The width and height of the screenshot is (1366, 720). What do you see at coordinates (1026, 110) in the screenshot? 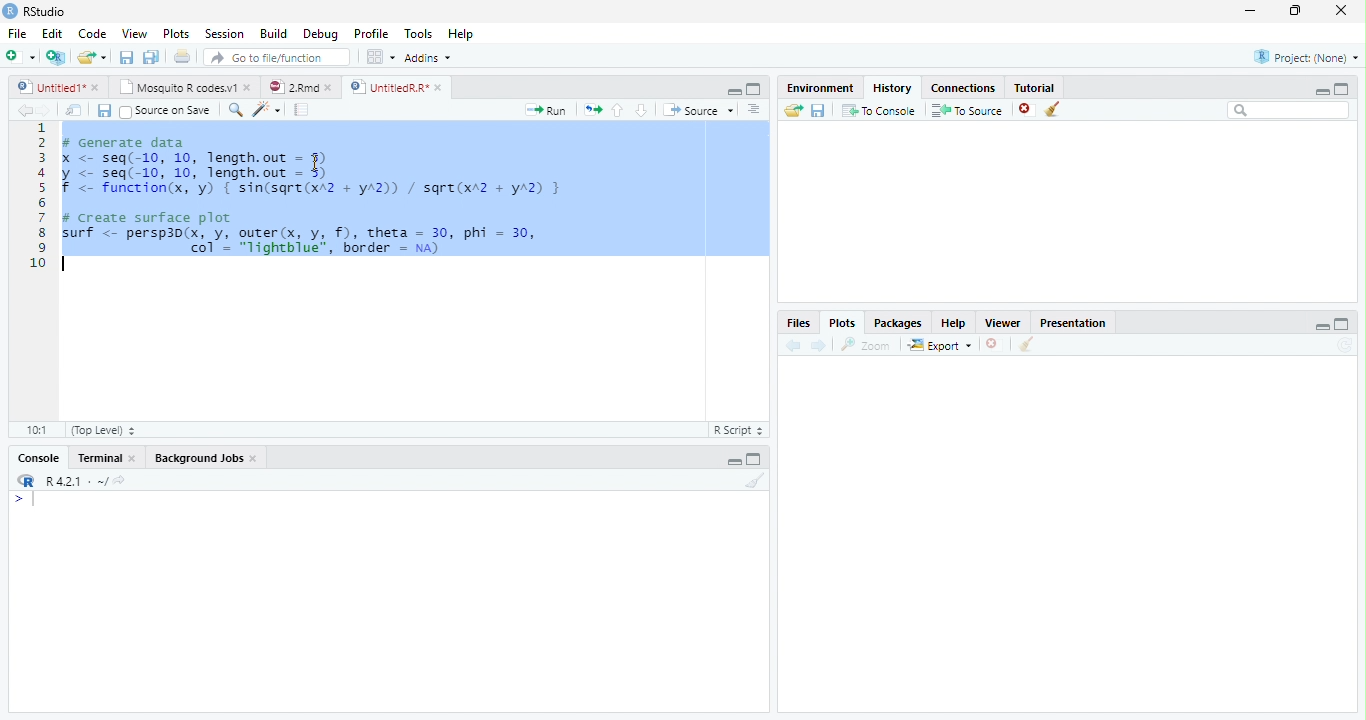
I see `Remove the selected history entries` at bounding box center [1026, 110].